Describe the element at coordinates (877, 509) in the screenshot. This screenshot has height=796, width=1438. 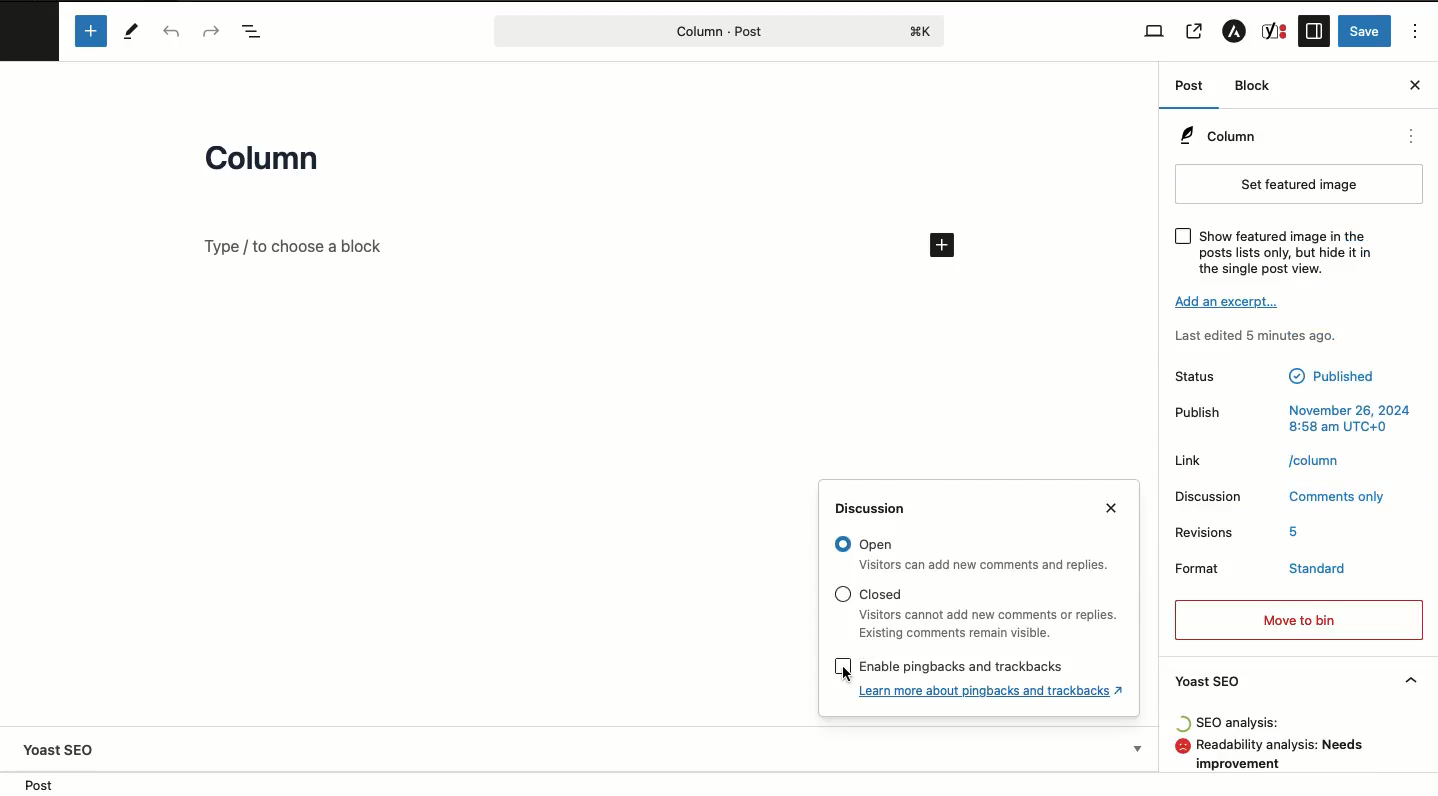
I see `Discussion` at that location.